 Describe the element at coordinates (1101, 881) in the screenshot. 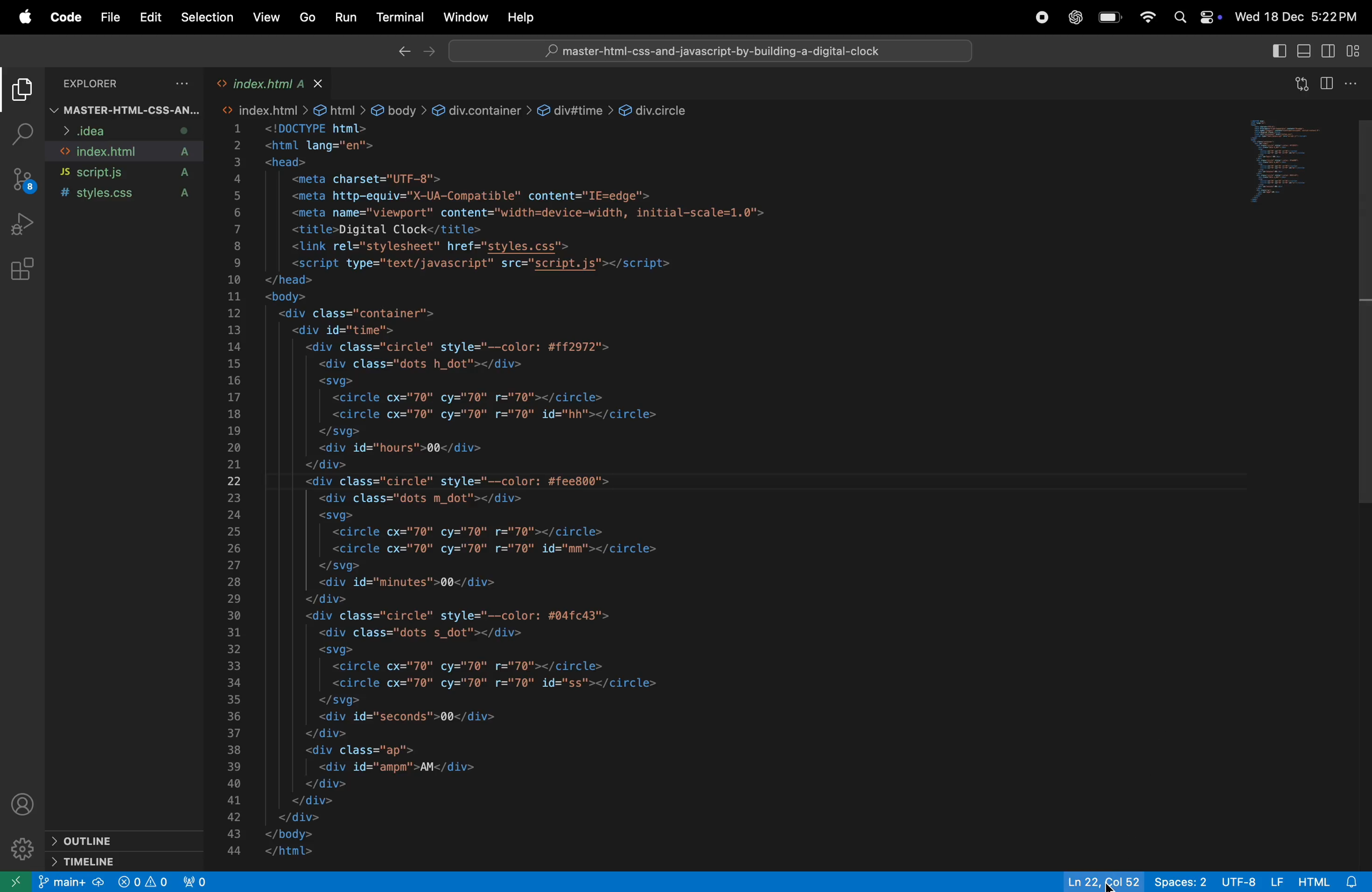

I see `ln col` at that location.